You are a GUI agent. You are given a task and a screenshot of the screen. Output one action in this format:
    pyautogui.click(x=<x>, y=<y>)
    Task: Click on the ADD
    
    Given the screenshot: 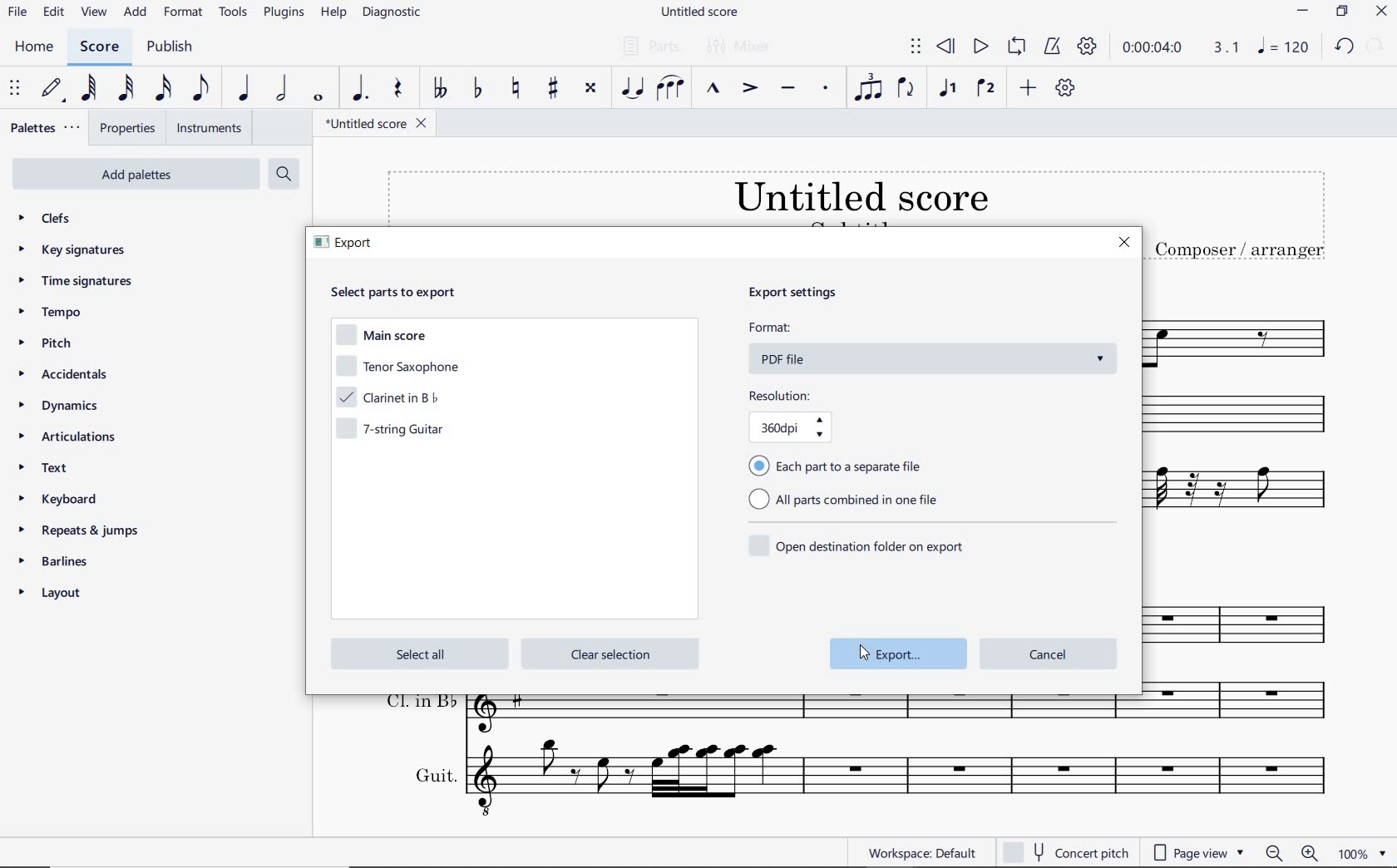 What is the action you would take?
    pyautogui.click(x=136, y=13)
    